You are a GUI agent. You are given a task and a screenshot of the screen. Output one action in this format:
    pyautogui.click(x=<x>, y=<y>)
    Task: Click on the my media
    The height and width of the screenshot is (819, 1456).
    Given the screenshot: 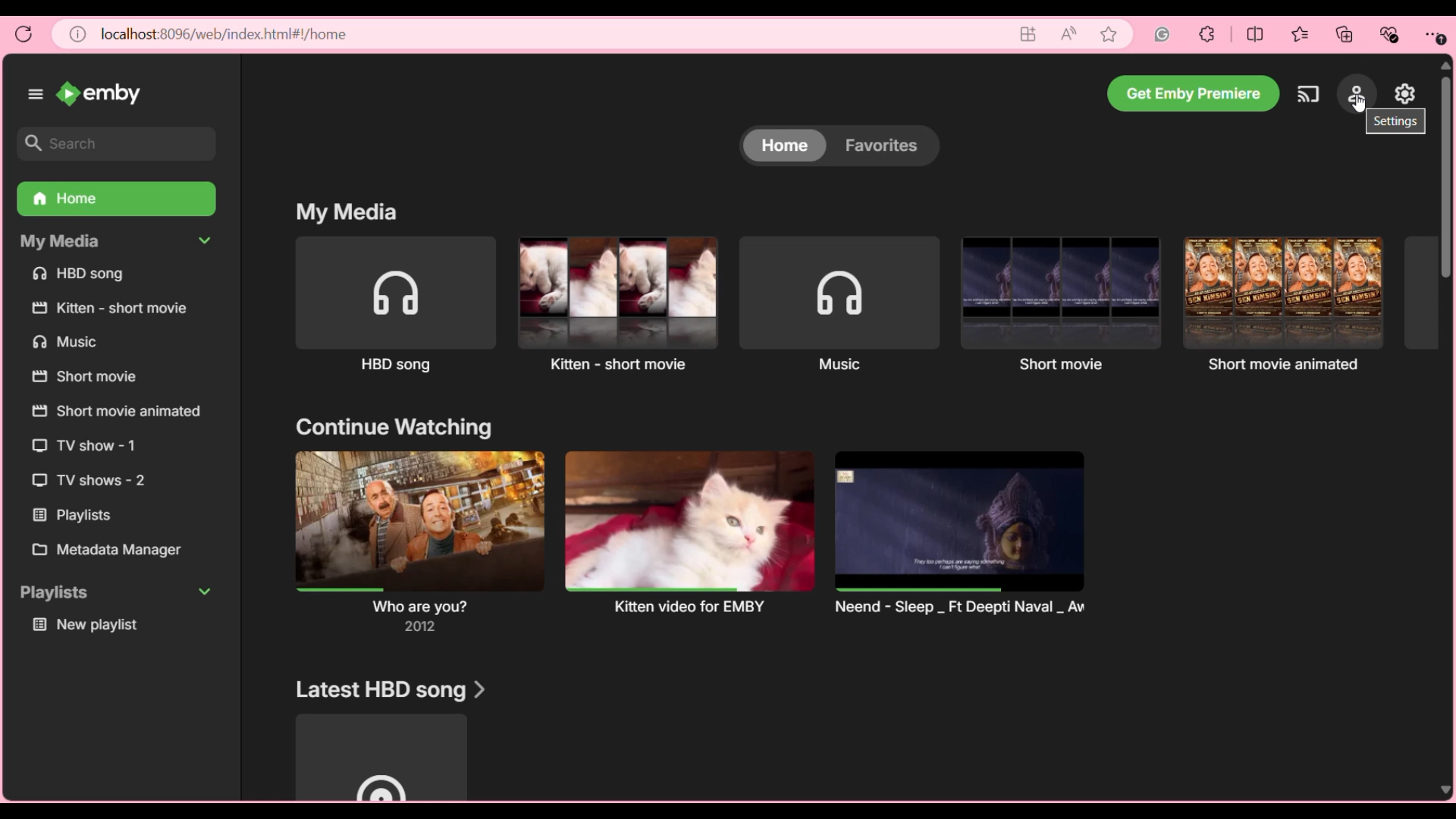 What is the action you would take?
    pyautogui.click(x=61, y=243)
    